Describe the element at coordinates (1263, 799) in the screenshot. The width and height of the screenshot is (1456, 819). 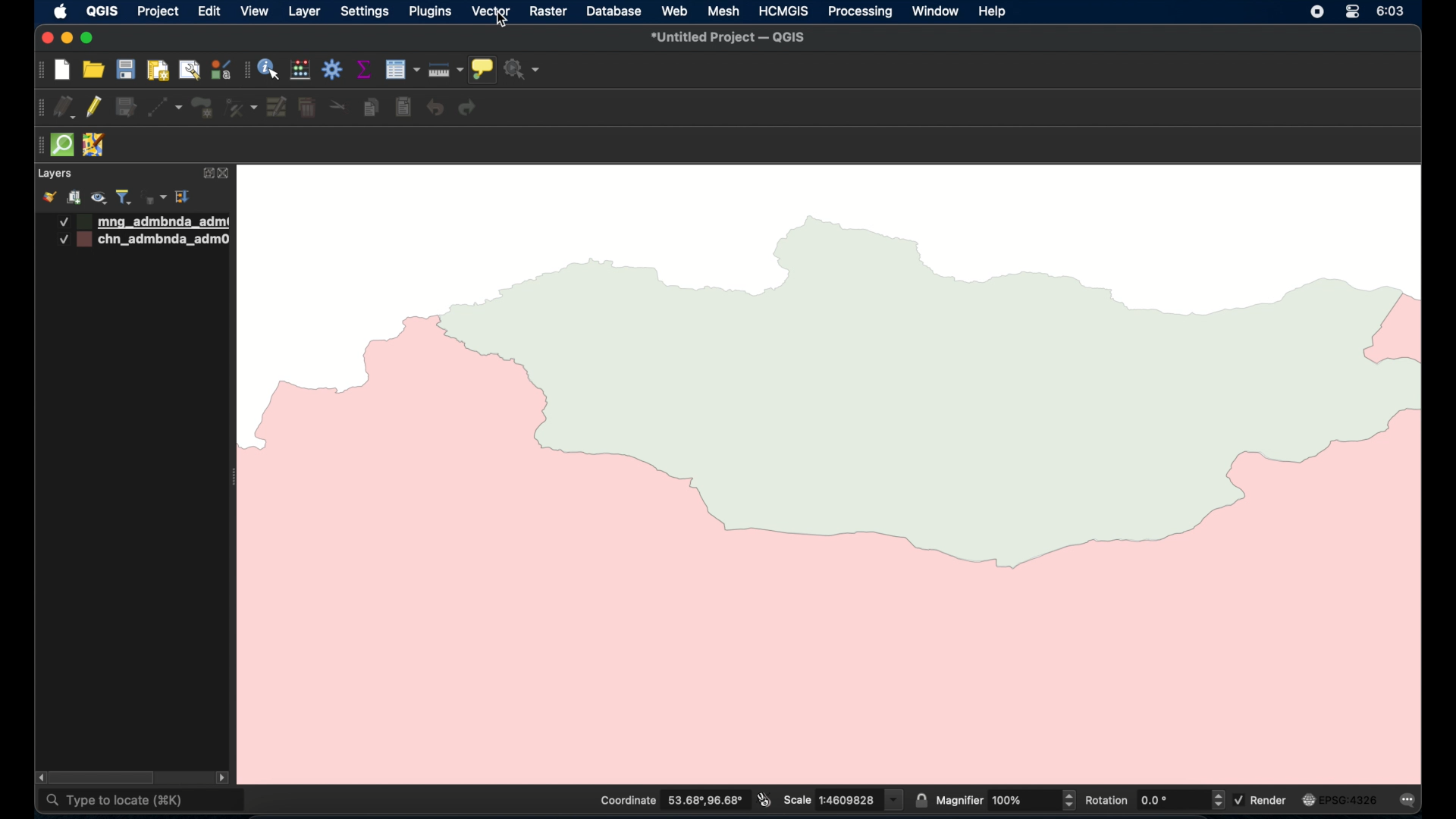
I see `render` at that location.